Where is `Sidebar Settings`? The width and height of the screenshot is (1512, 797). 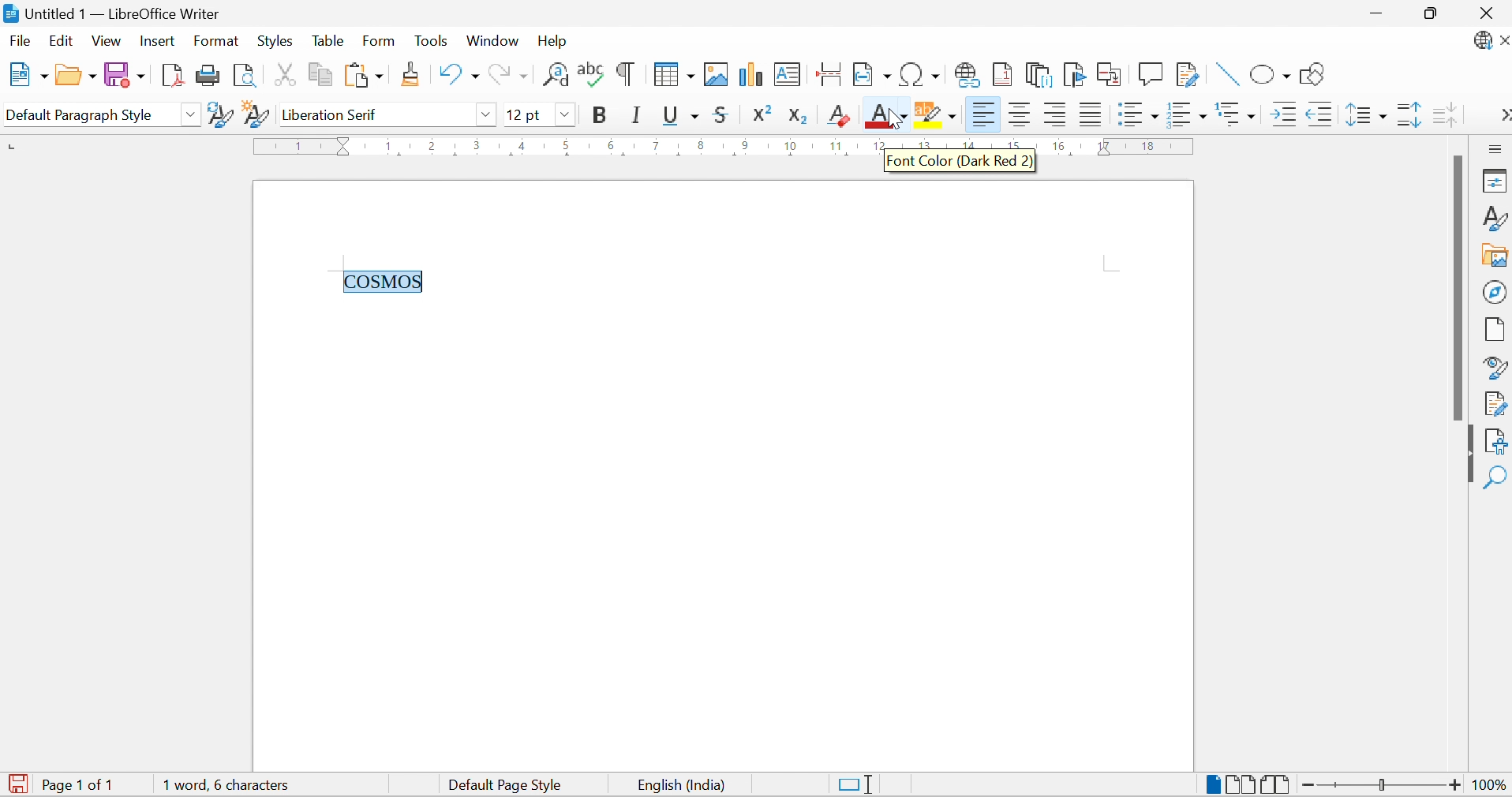 Sidebar Settings is located at coordinates (1495, 149).